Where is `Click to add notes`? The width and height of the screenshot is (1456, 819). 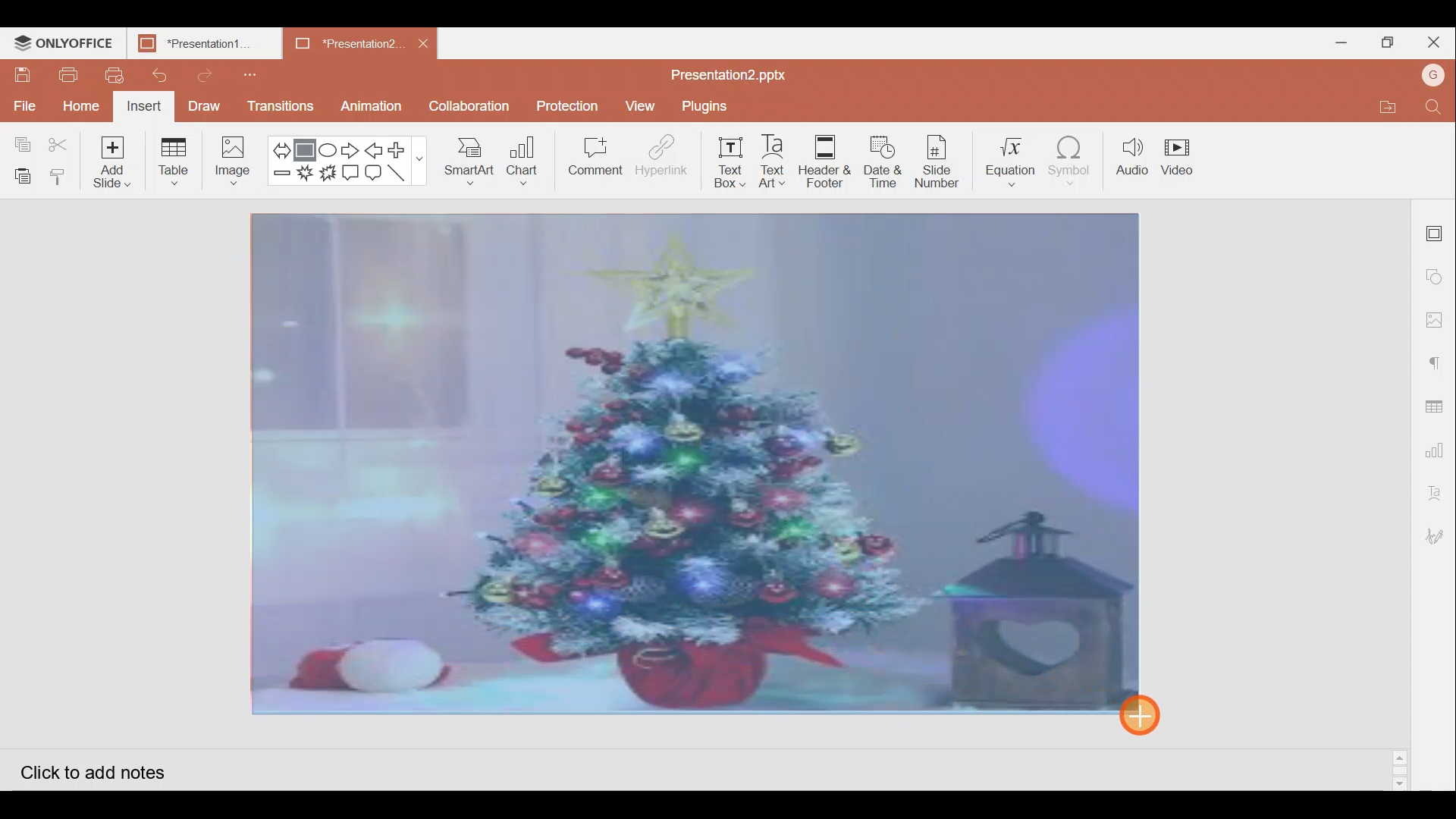 Click to add notes is located at coordinates (104, 767).